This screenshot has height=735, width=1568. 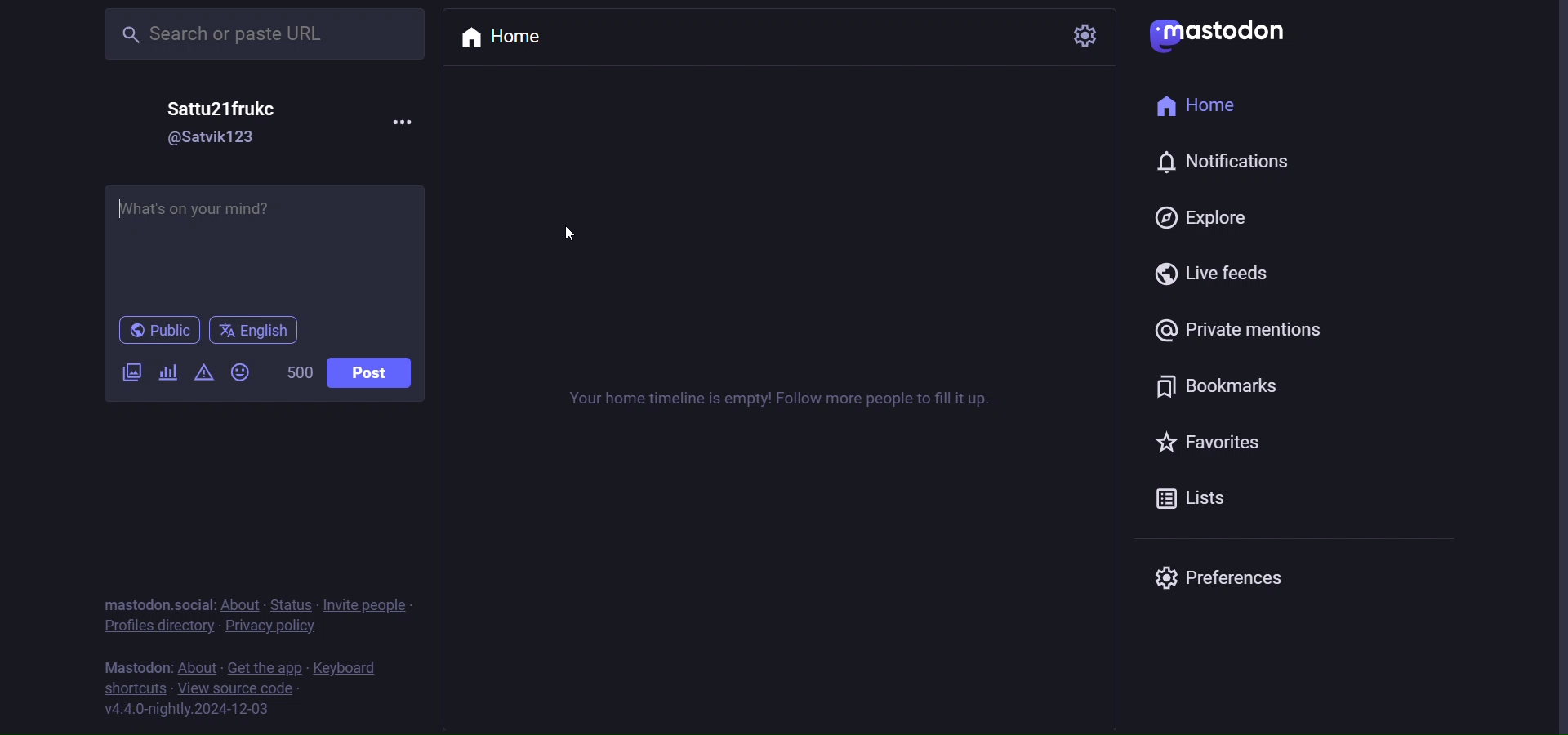 What do you see at coordinates (1245, 330) in the screenshot?
I see `private mention` at bounding box center [1245, 330].